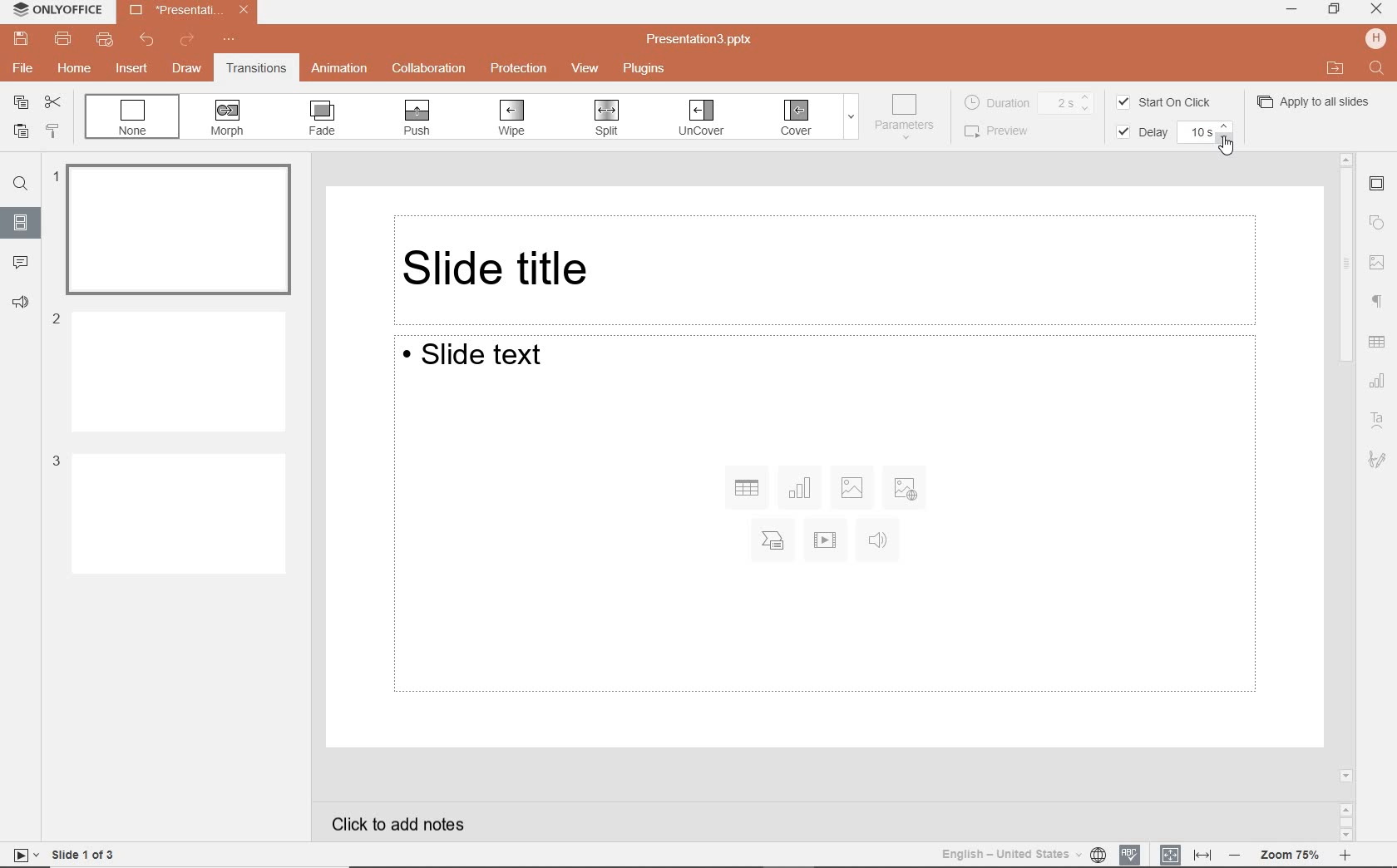 The width and height of the screenshot is (1397, 868). Describe the element at coordinates (323, 118) in the screenshot. I see `FADE` at that location.